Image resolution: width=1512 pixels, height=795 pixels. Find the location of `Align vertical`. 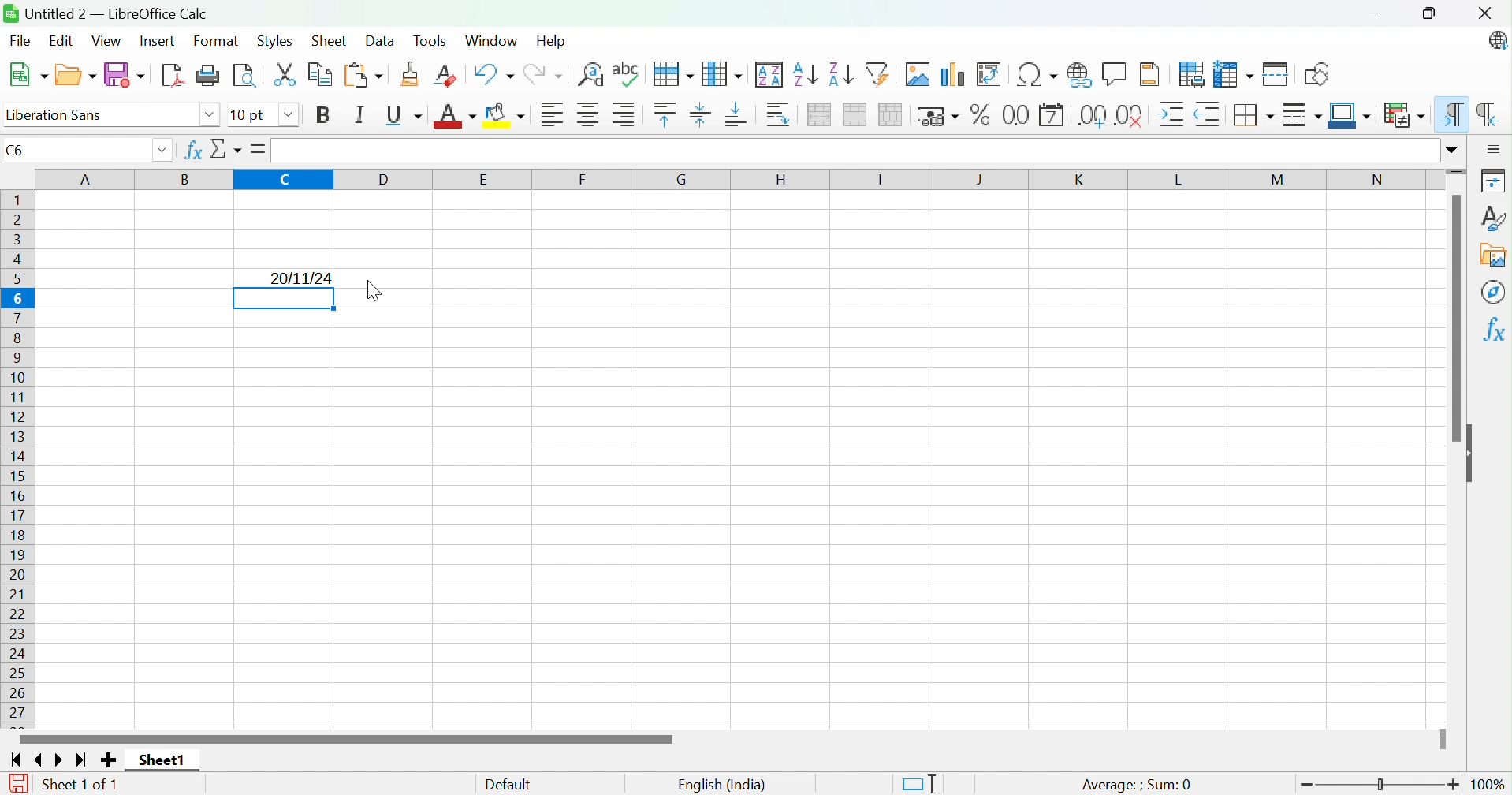

Align vertical is located at coordinates (699, 116).